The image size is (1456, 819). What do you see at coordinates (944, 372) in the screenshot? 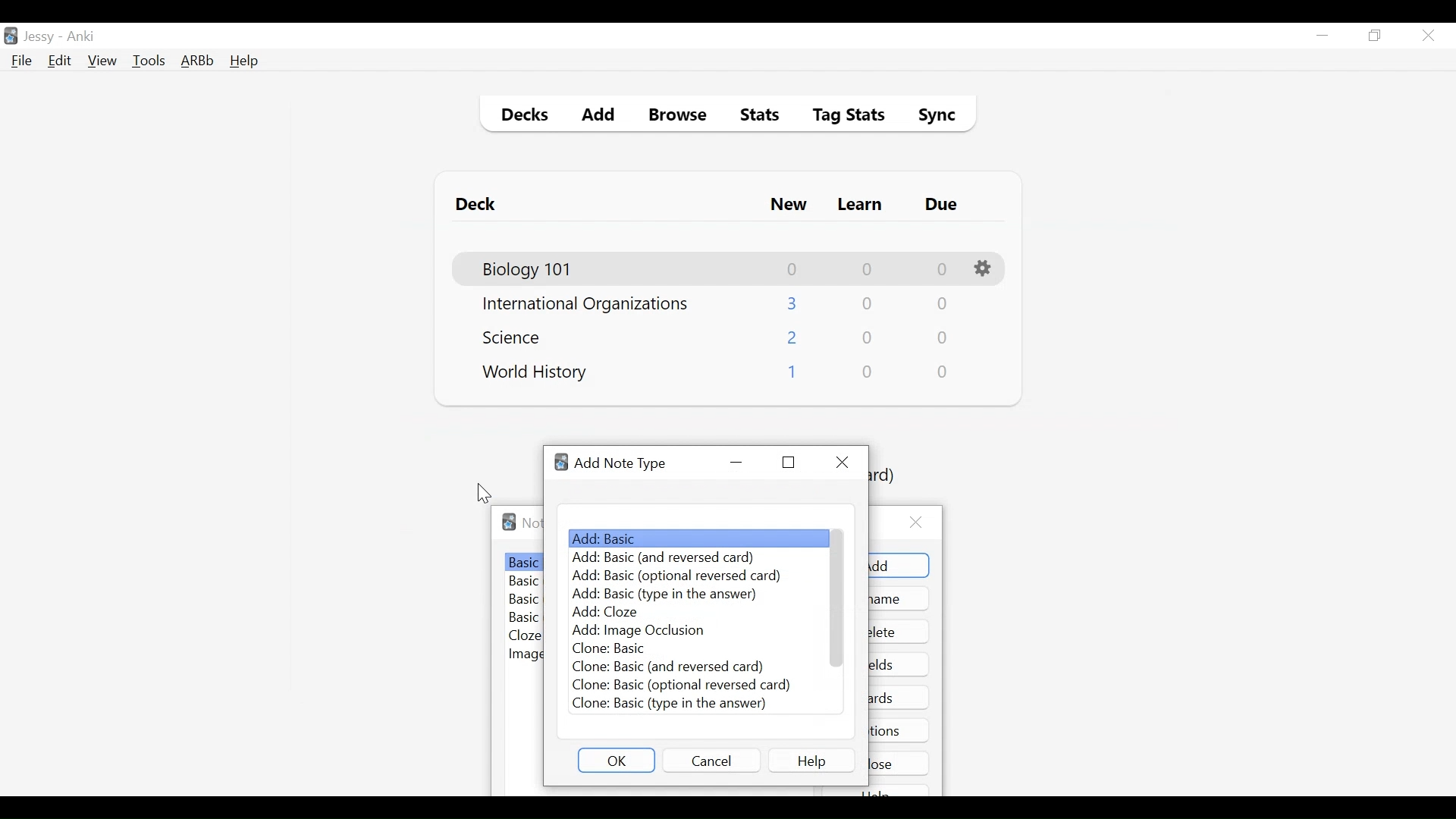
I see `Due Card Count` at bounding box center [944, 372].